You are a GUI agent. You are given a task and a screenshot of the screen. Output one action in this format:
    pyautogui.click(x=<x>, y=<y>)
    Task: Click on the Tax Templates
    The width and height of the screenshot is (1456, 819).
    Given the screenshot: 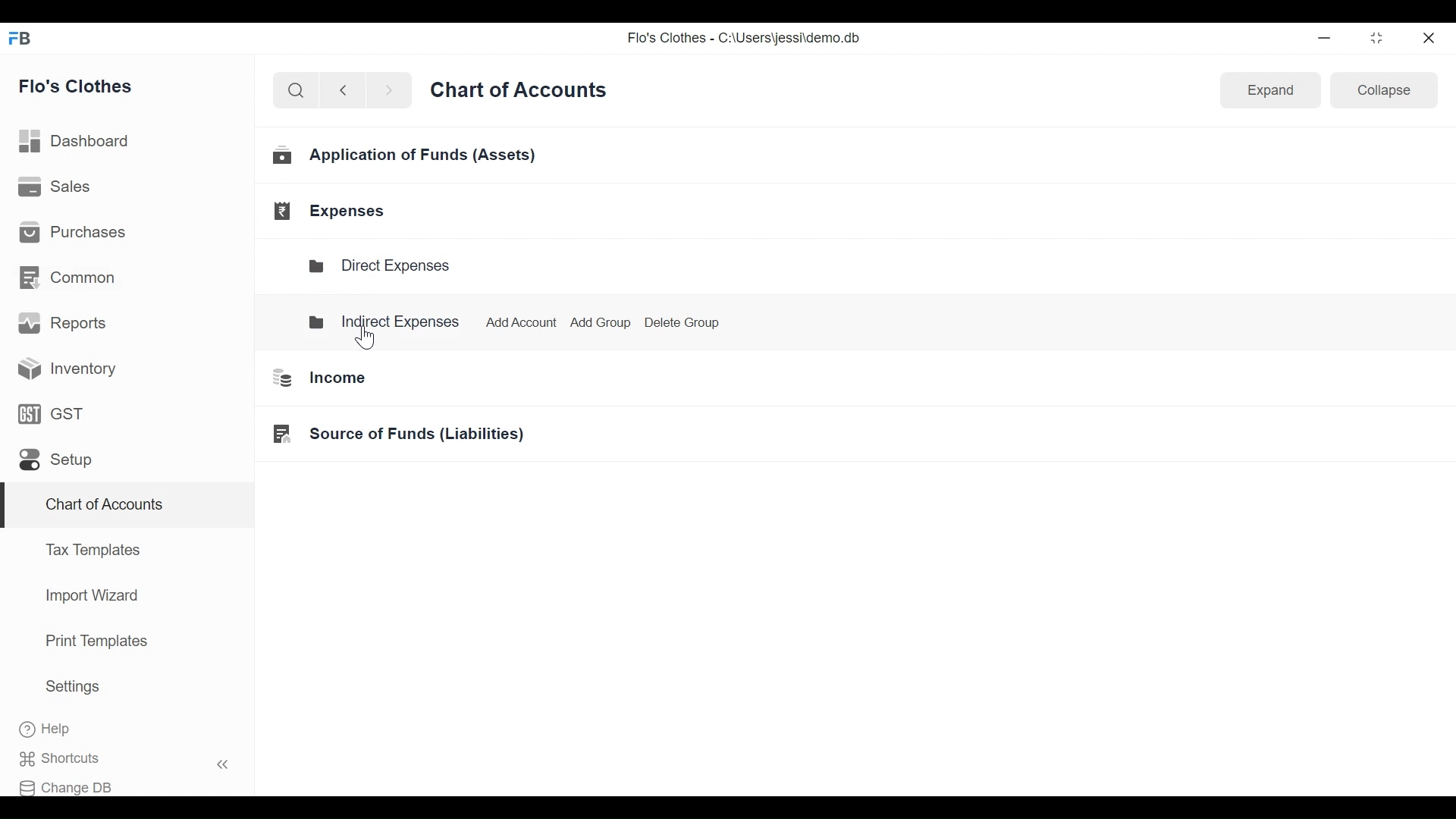 What is the action you would take?
    pyautogui.click(x=92, y=549)
    